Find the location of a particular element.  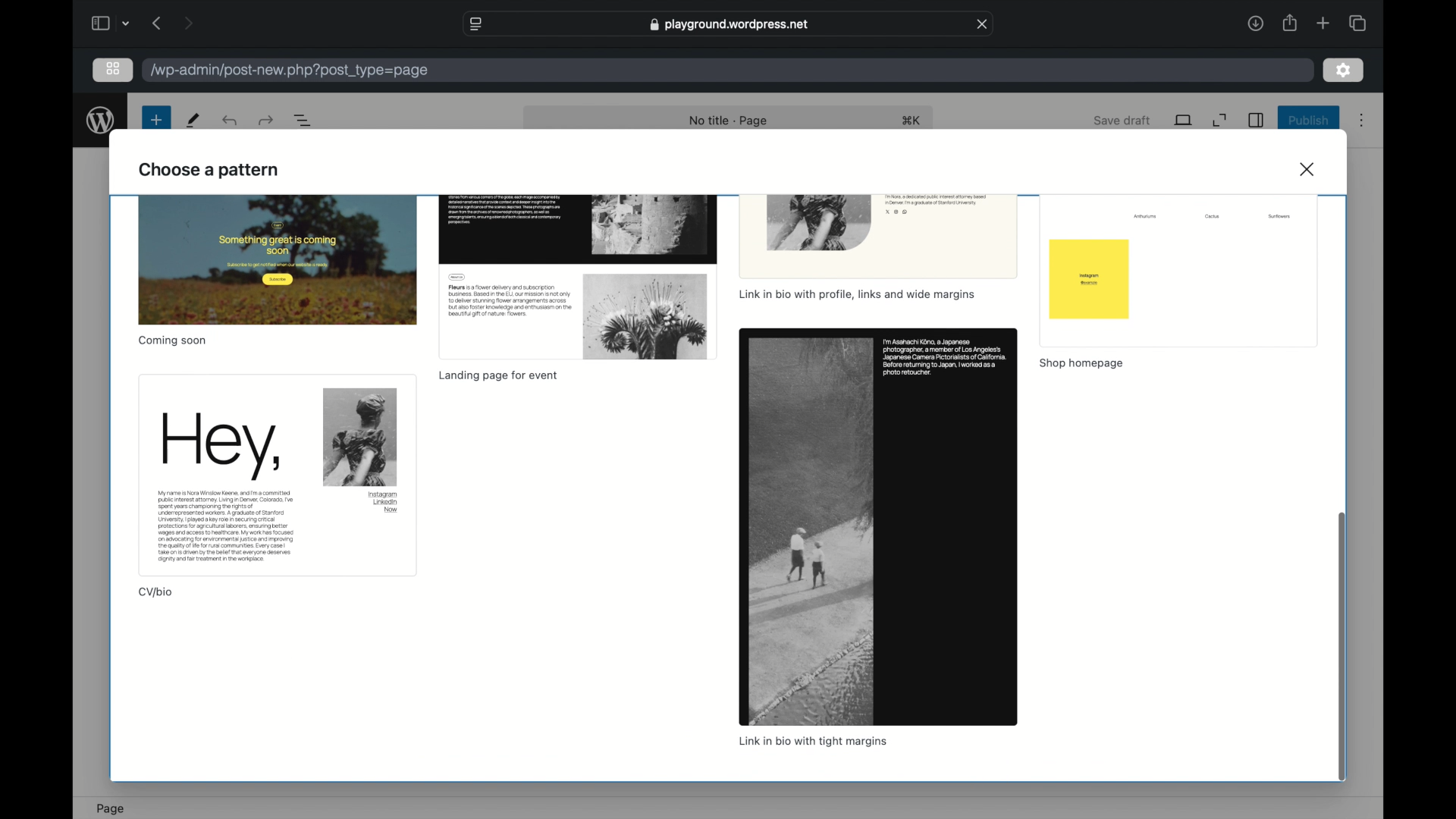

landing page for event is located at coordinates (497, 376).